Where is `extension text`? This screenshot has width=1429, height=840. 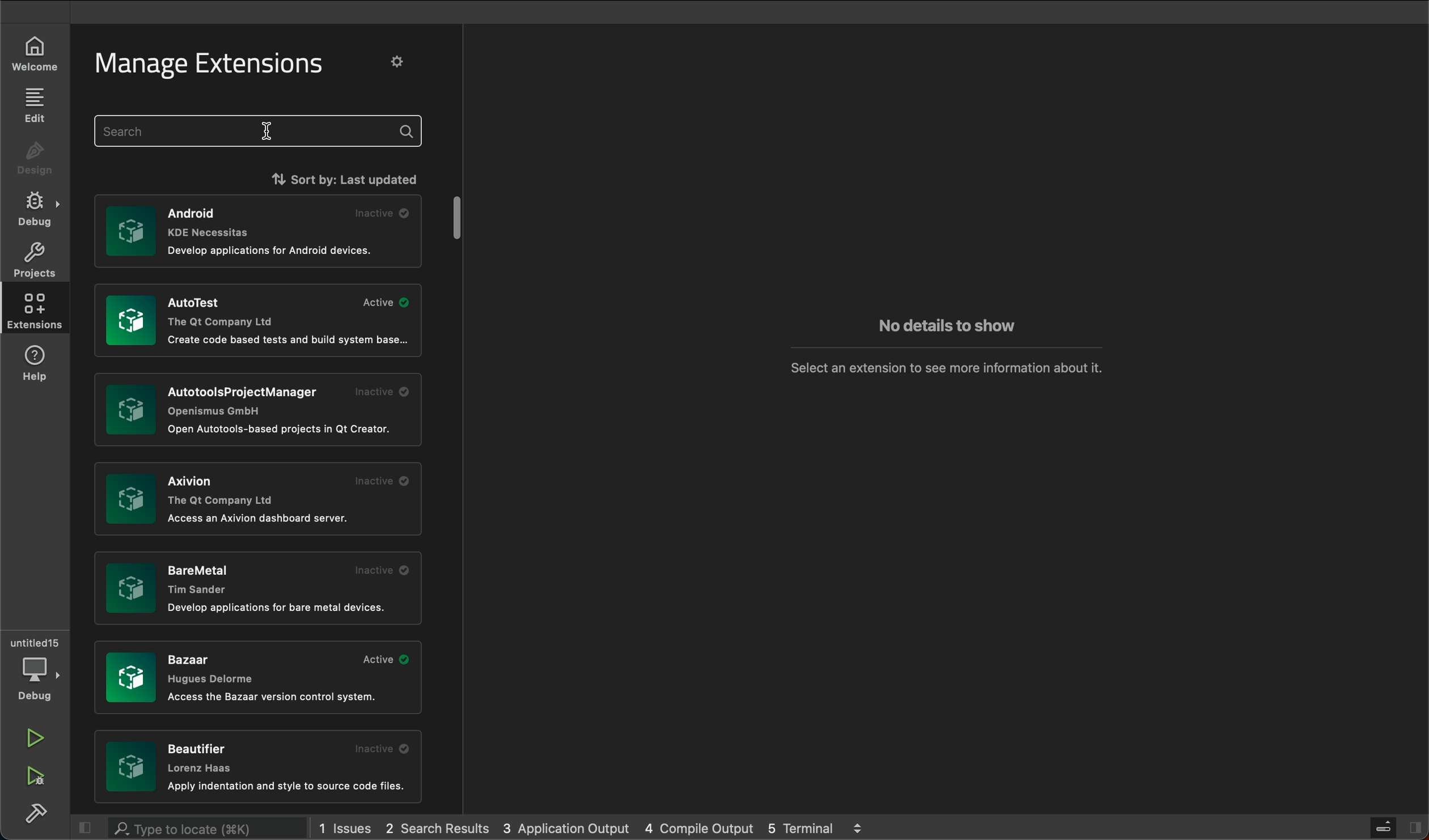
extension text is located at coordinates (212, 668).